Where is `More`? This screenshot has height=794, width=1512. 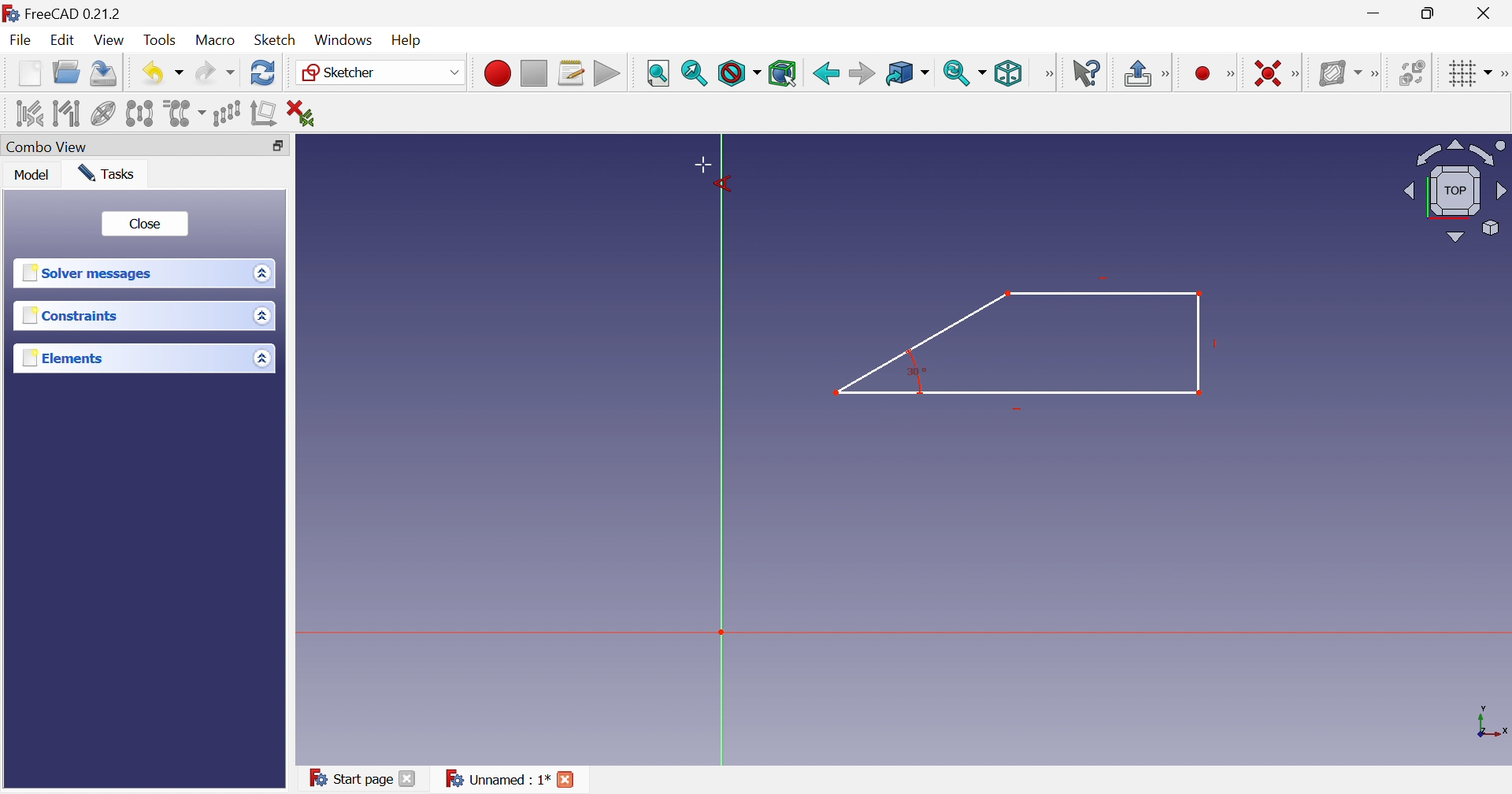
More is located at coordinates (1298, 72).